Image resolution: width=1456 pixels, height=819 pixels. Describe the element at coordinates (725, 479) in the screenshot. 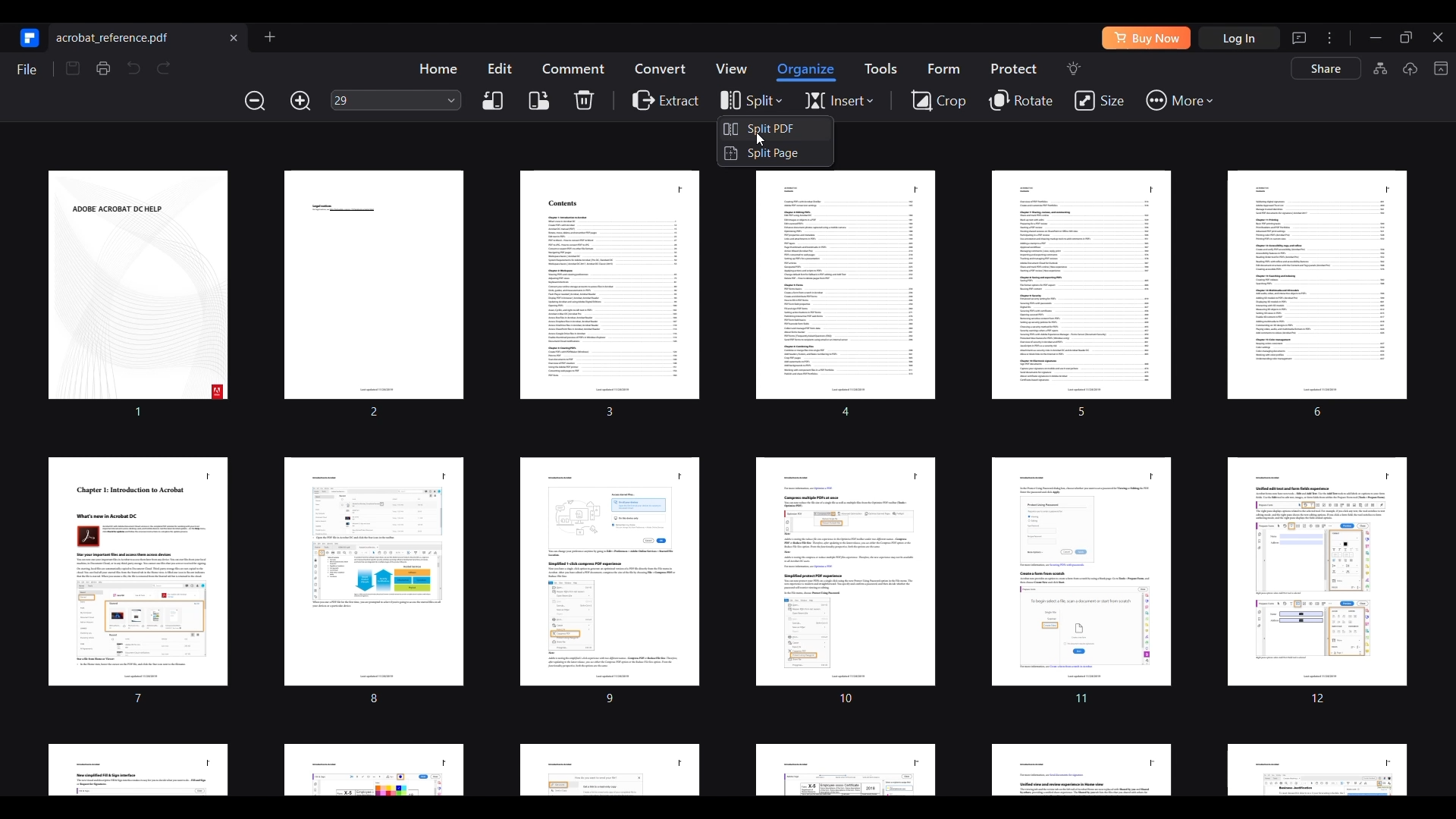

I see `View of PDF pages along with numbering under Organize menu` at that location.